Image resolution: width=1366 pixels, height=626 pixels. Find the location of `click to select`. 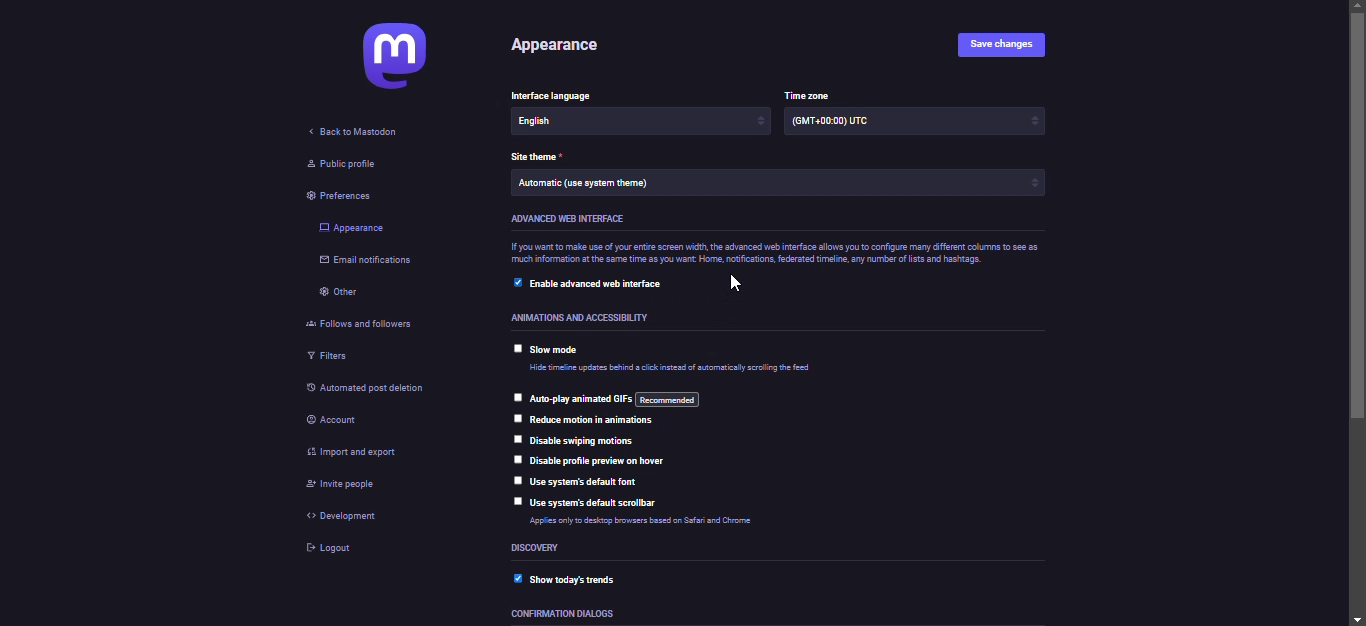

click to select is located at coordinates (514, 398).